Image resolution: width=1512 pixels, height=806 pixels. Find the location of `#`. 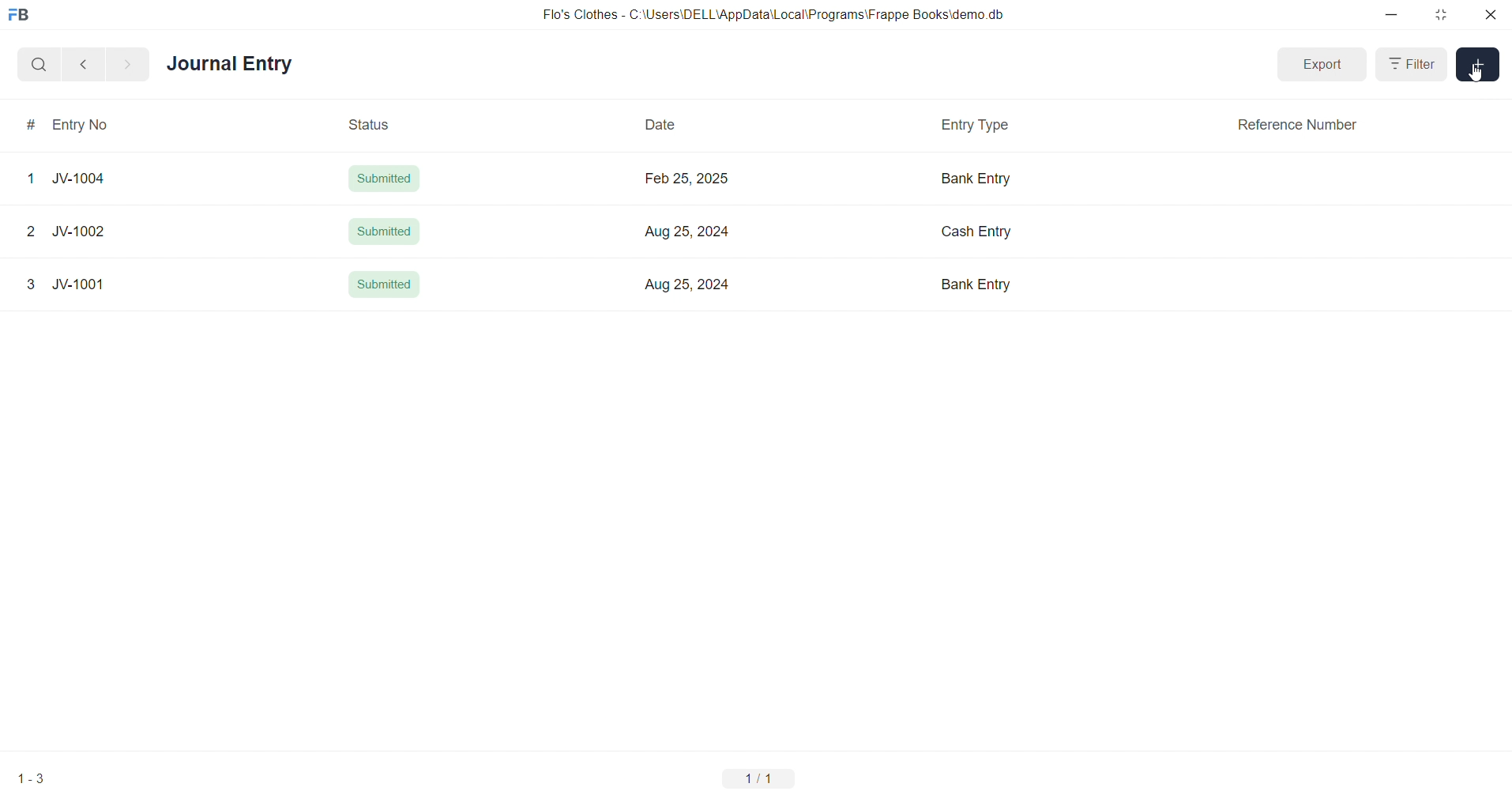

# is located at coordinates (30, 125).